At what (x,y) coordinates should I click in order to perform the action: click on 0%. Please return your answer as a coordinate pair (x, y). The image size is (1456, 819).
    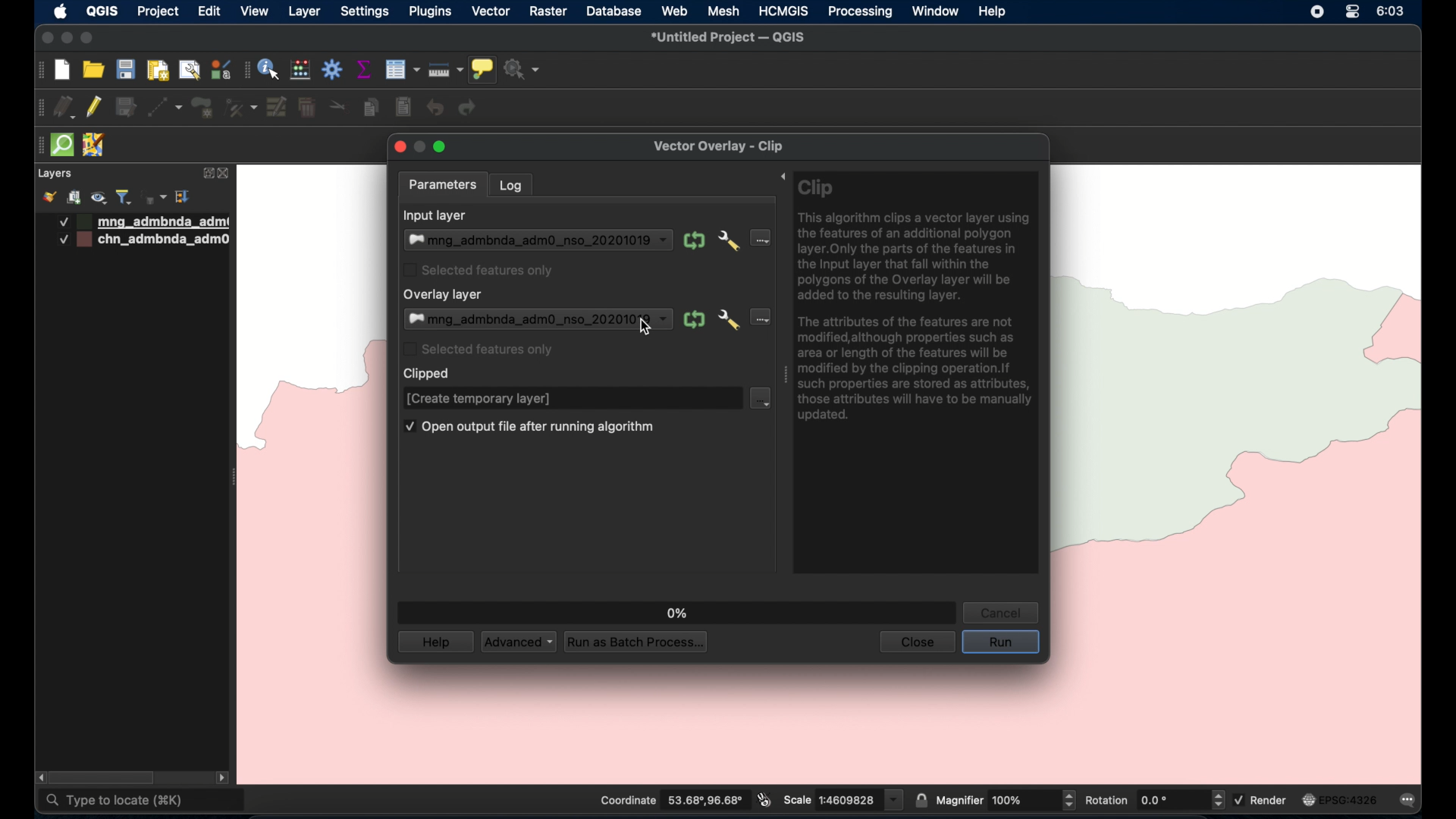
    Looking at the image, I should click on (678, 613).